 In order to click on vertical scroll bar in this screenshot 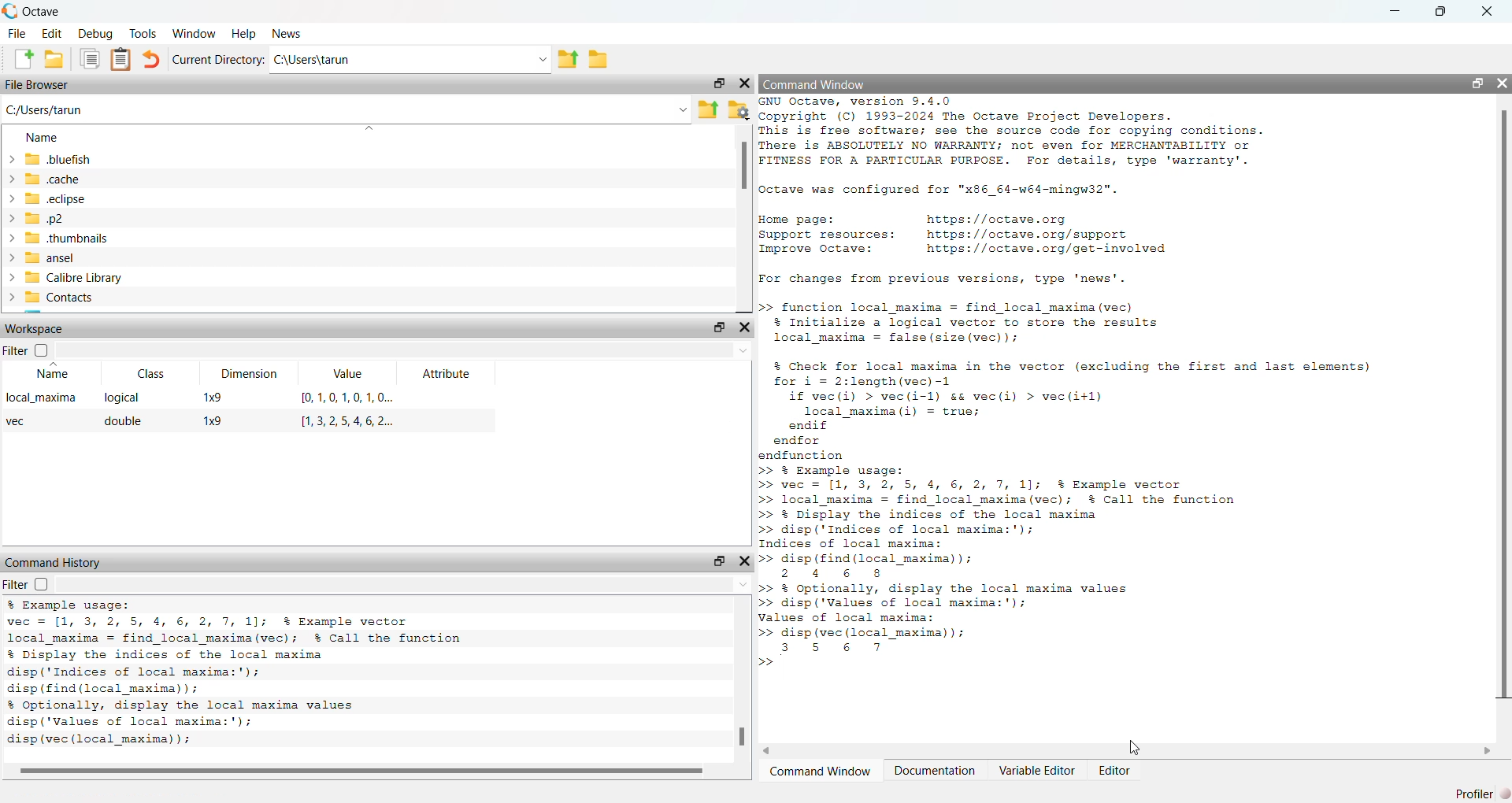, I will do `click(743, 679)`.